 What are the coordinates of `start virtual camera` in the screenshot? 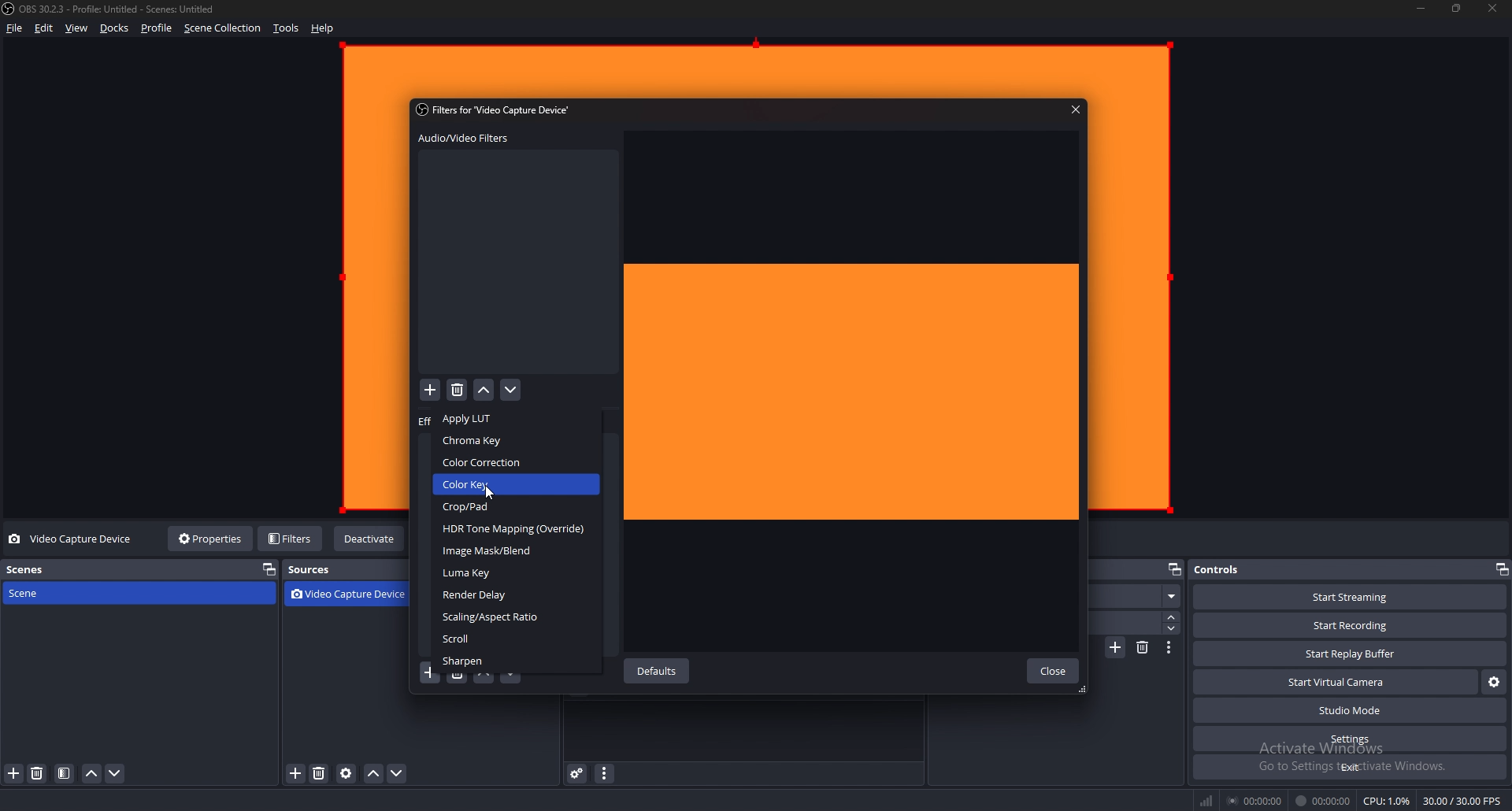 It's located at (1336, 682).